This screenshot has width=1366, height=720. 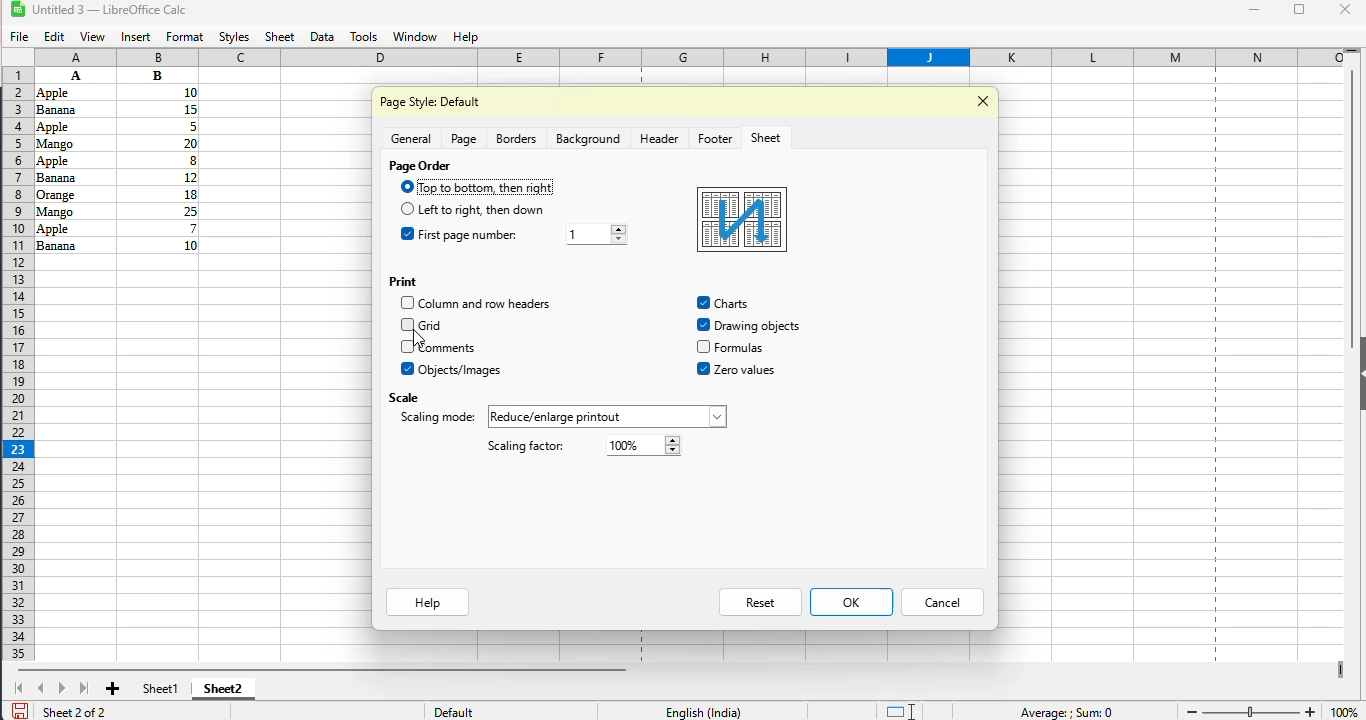 I want to click on reset, so click(x=762, y=602).